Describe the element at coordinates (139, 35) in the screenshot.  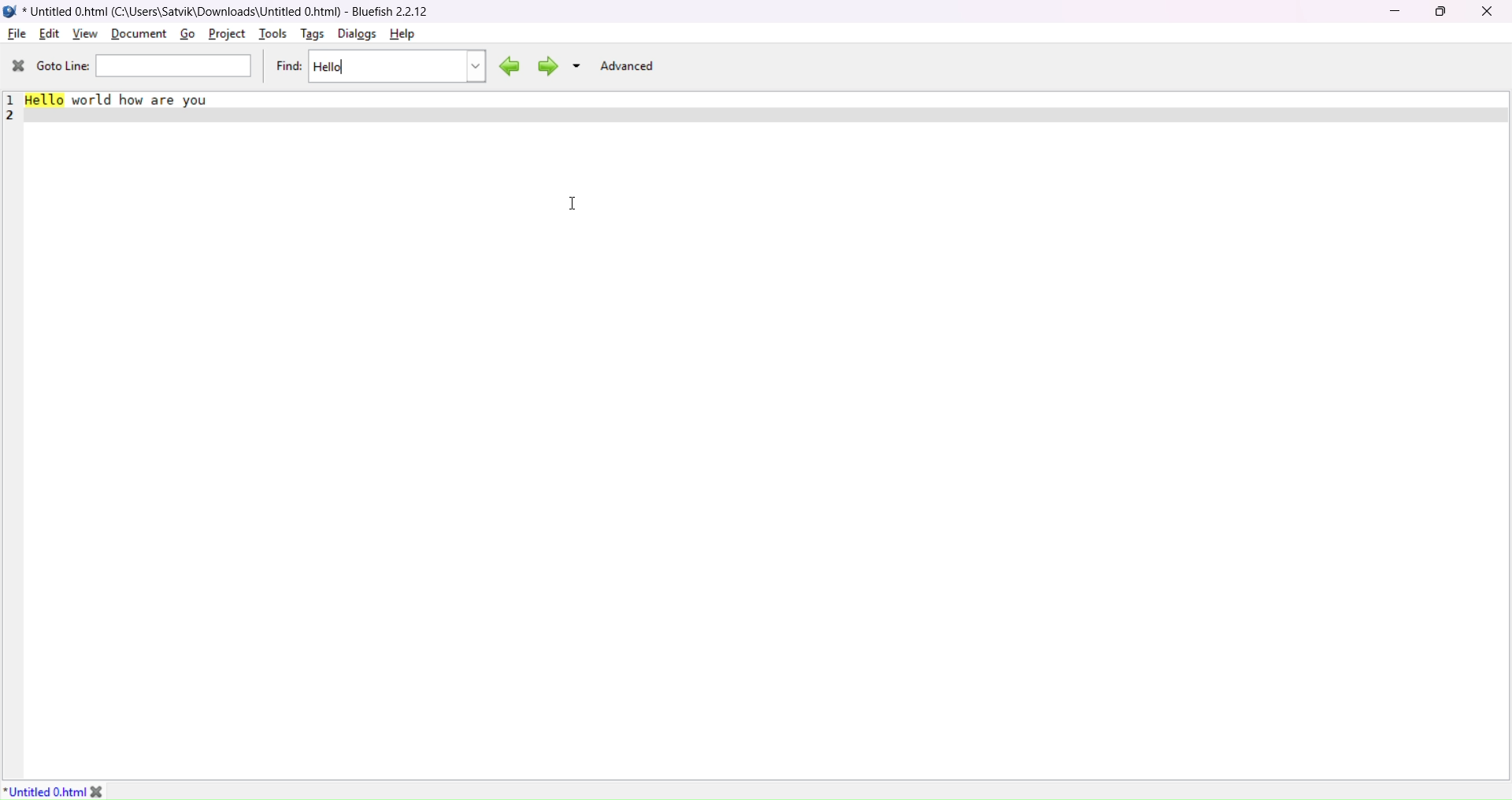
I see `document` at that location.